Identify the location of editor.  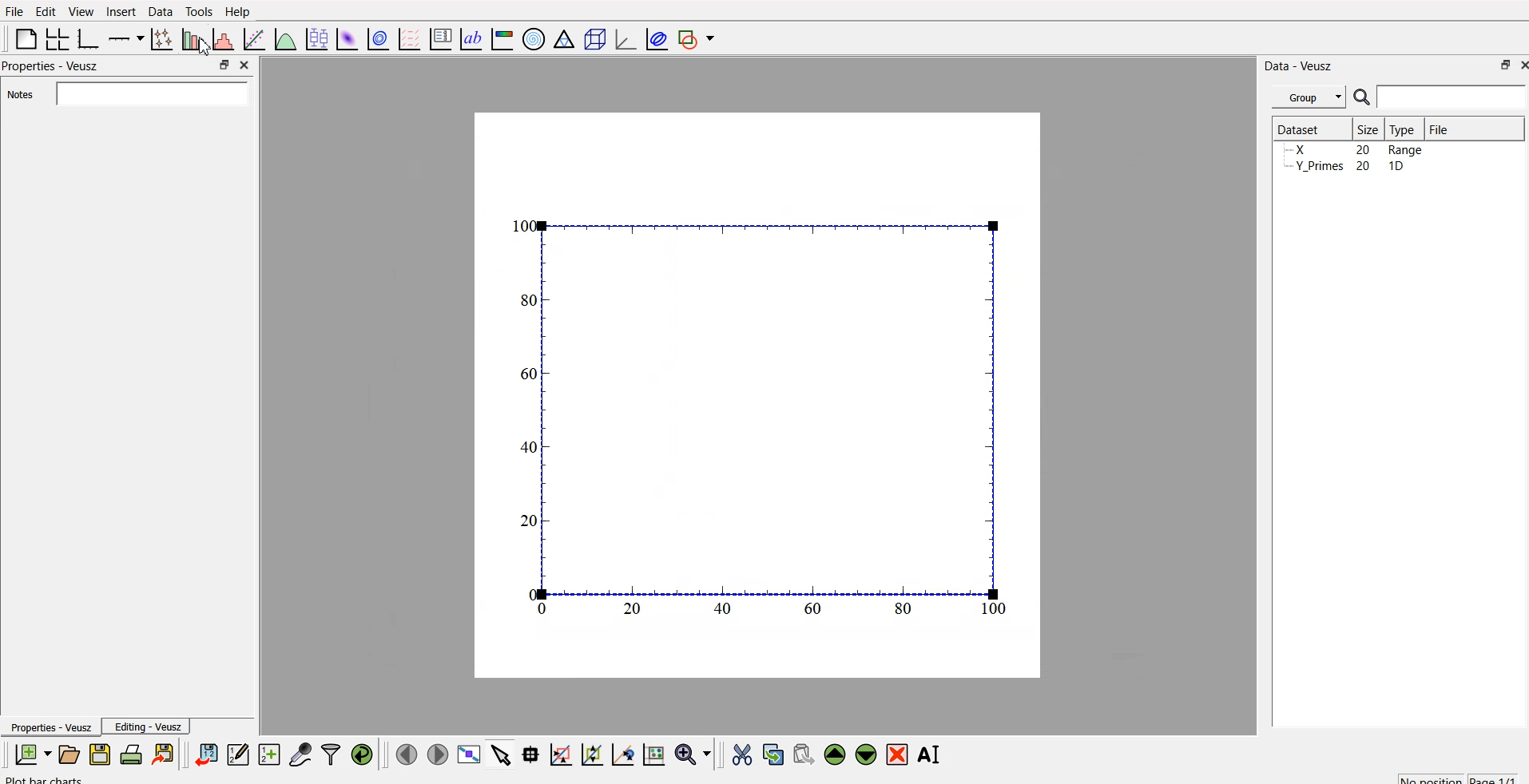
(239, 754).